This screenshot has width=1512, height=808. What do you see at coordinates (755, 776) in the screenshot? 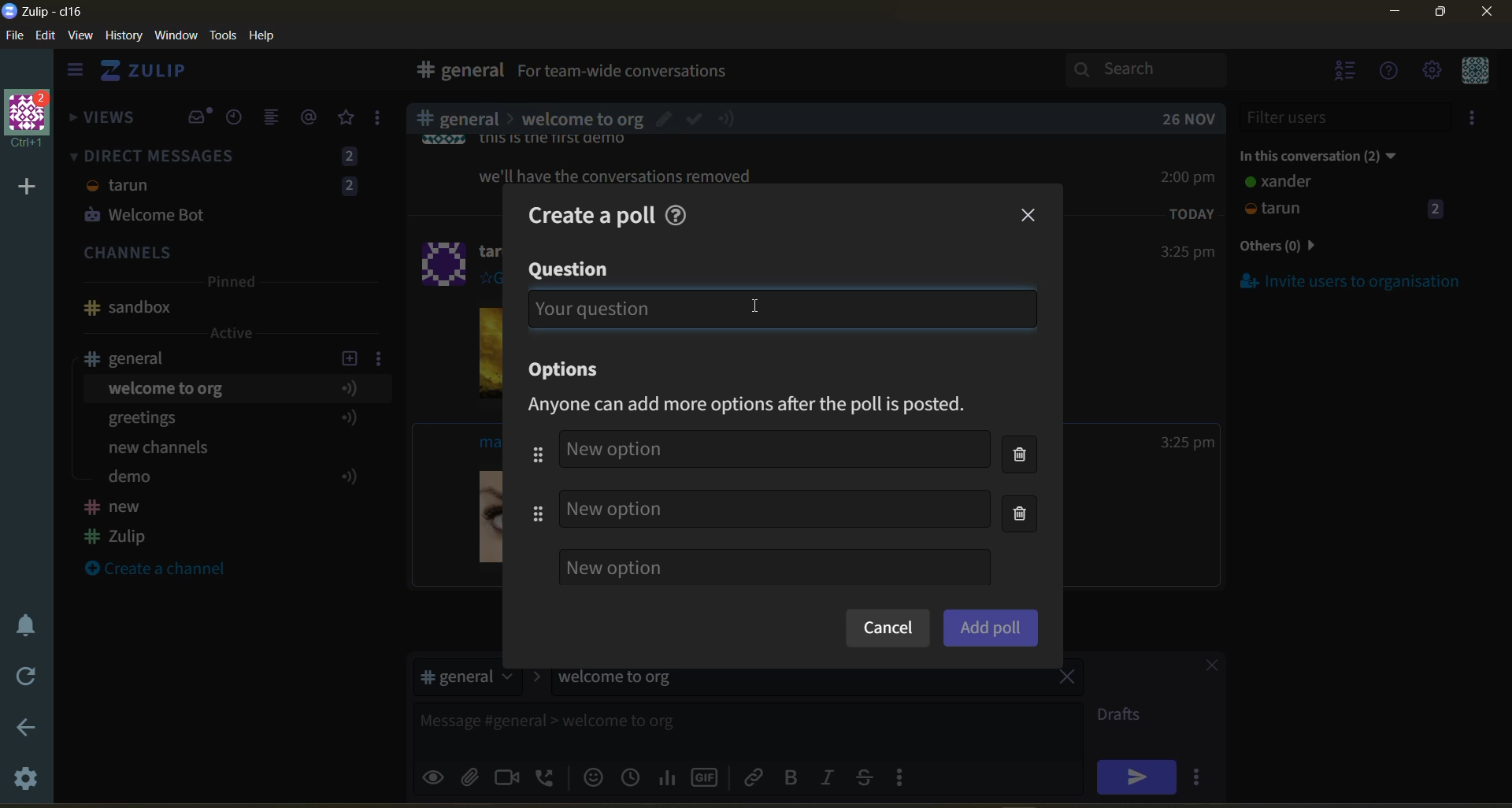
I see `link` at bounding box center [755, 776].